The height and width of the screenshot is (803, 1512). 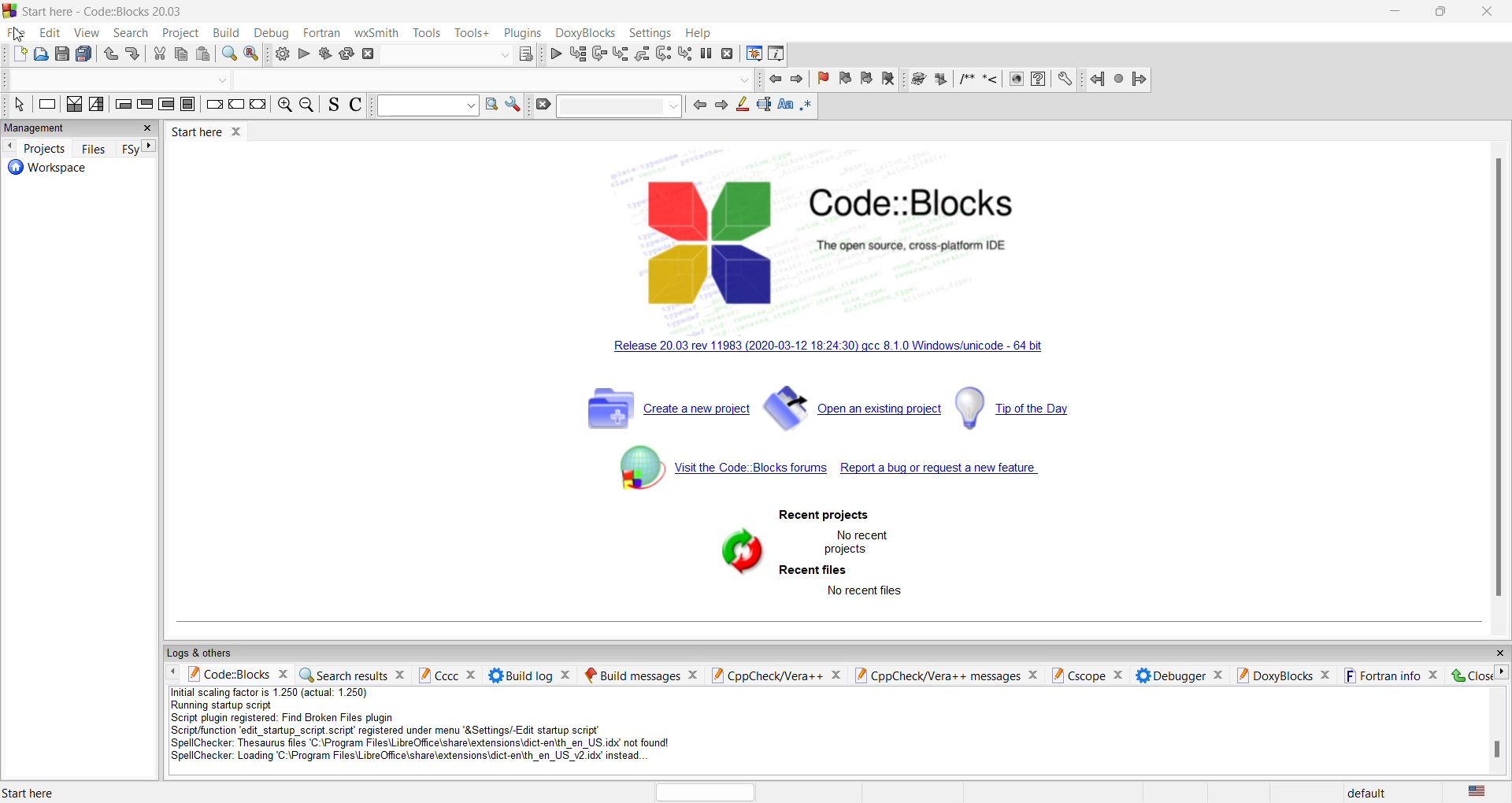 I want to click on  build messages, so click(x=640, y=673).